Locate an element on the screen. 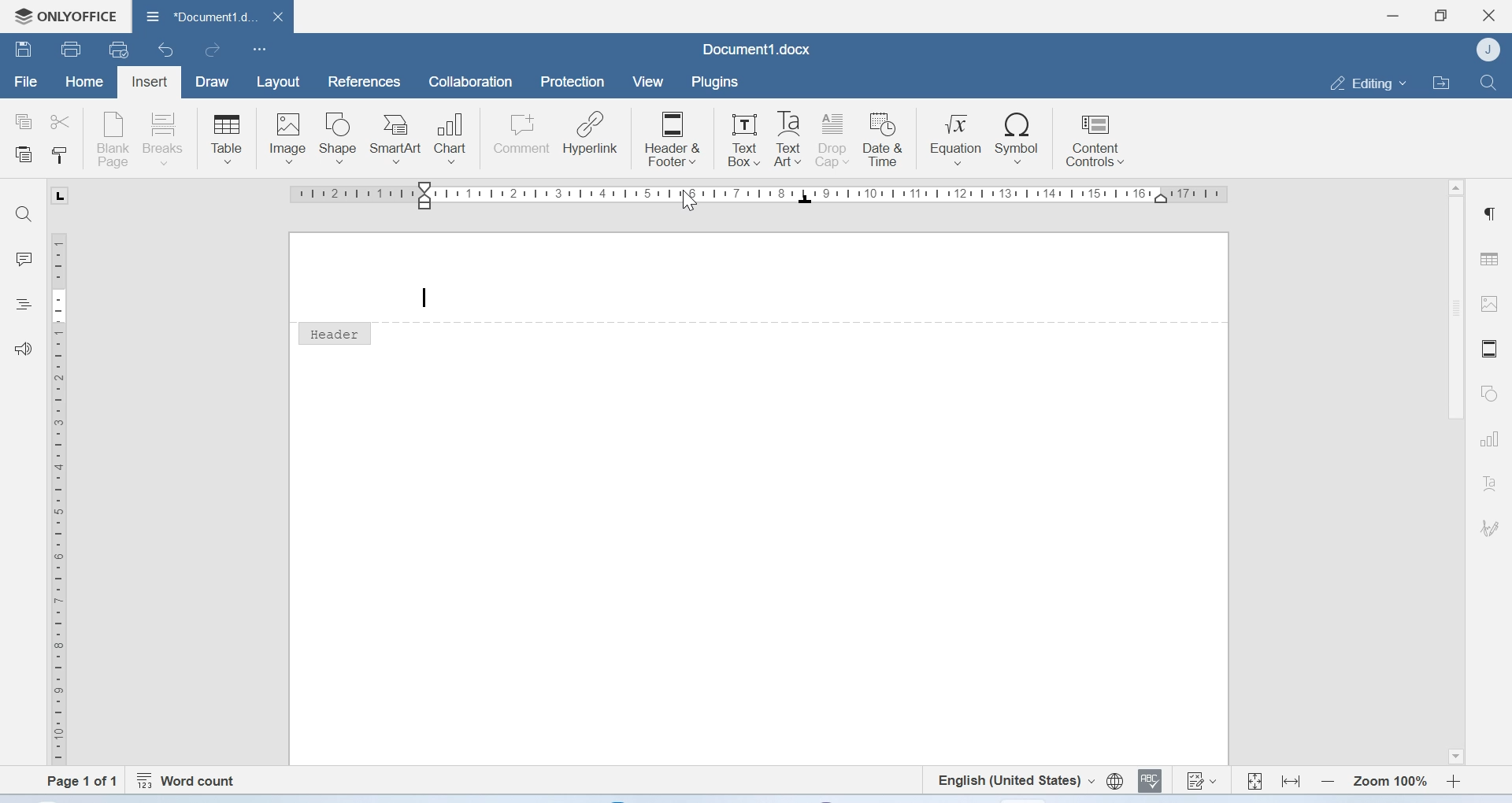 The width and height of the screenshot is (1512, 803). Symbol is located at coordinates (1019, 139).